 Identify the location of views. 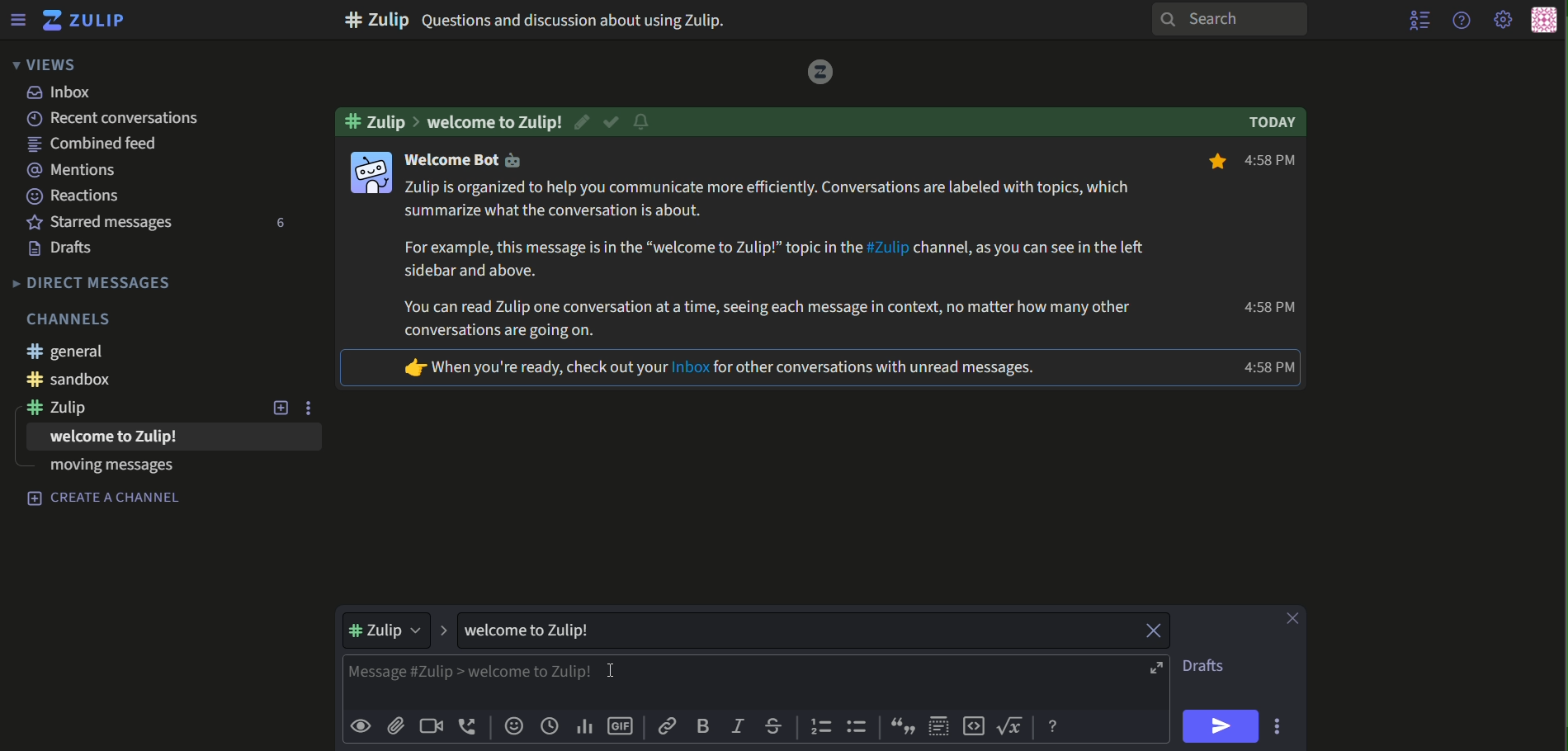
(42, 64).